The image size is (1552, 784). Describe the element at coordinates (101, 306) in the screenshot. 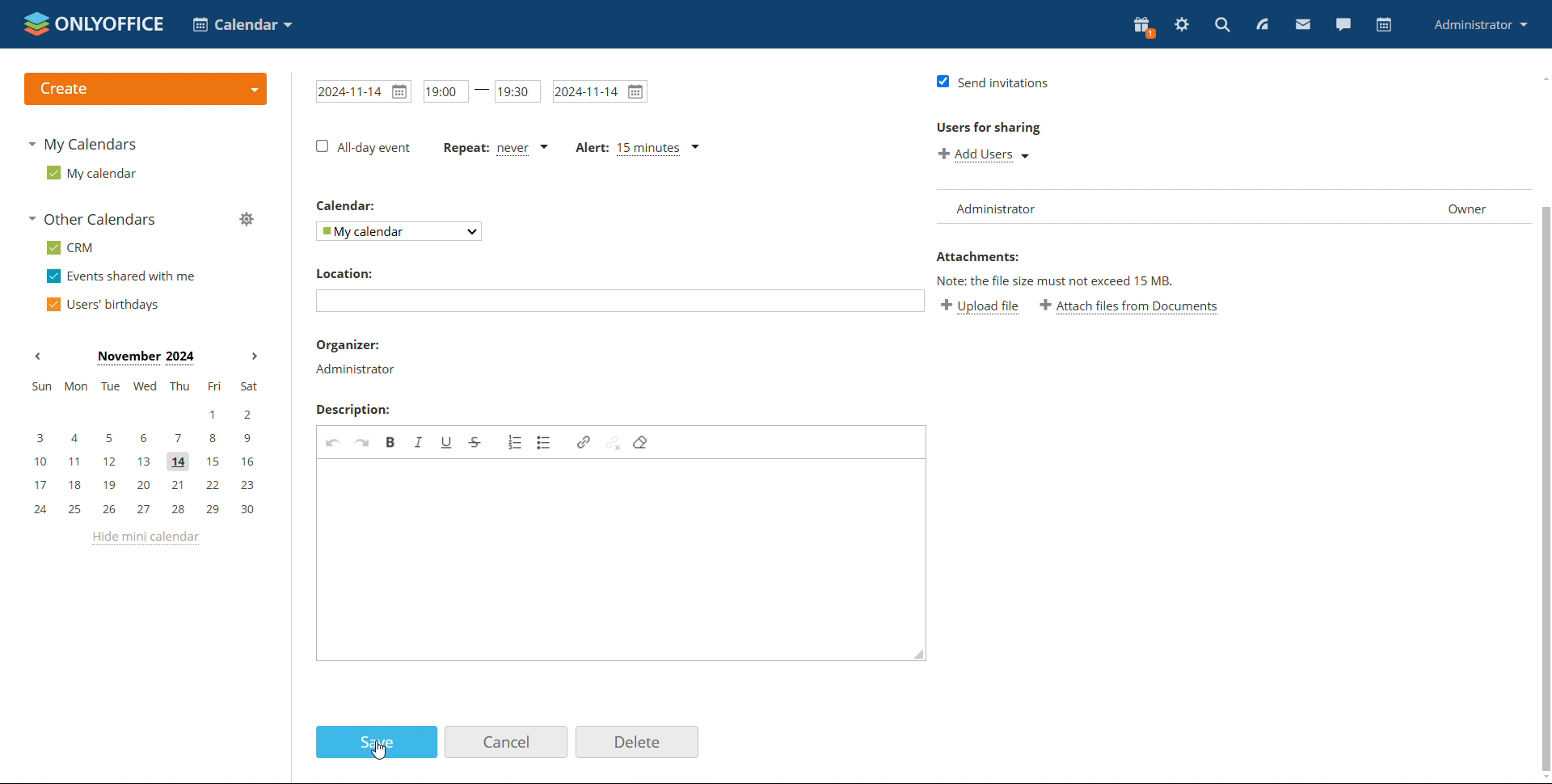

I see `users' birthdays` at that location.